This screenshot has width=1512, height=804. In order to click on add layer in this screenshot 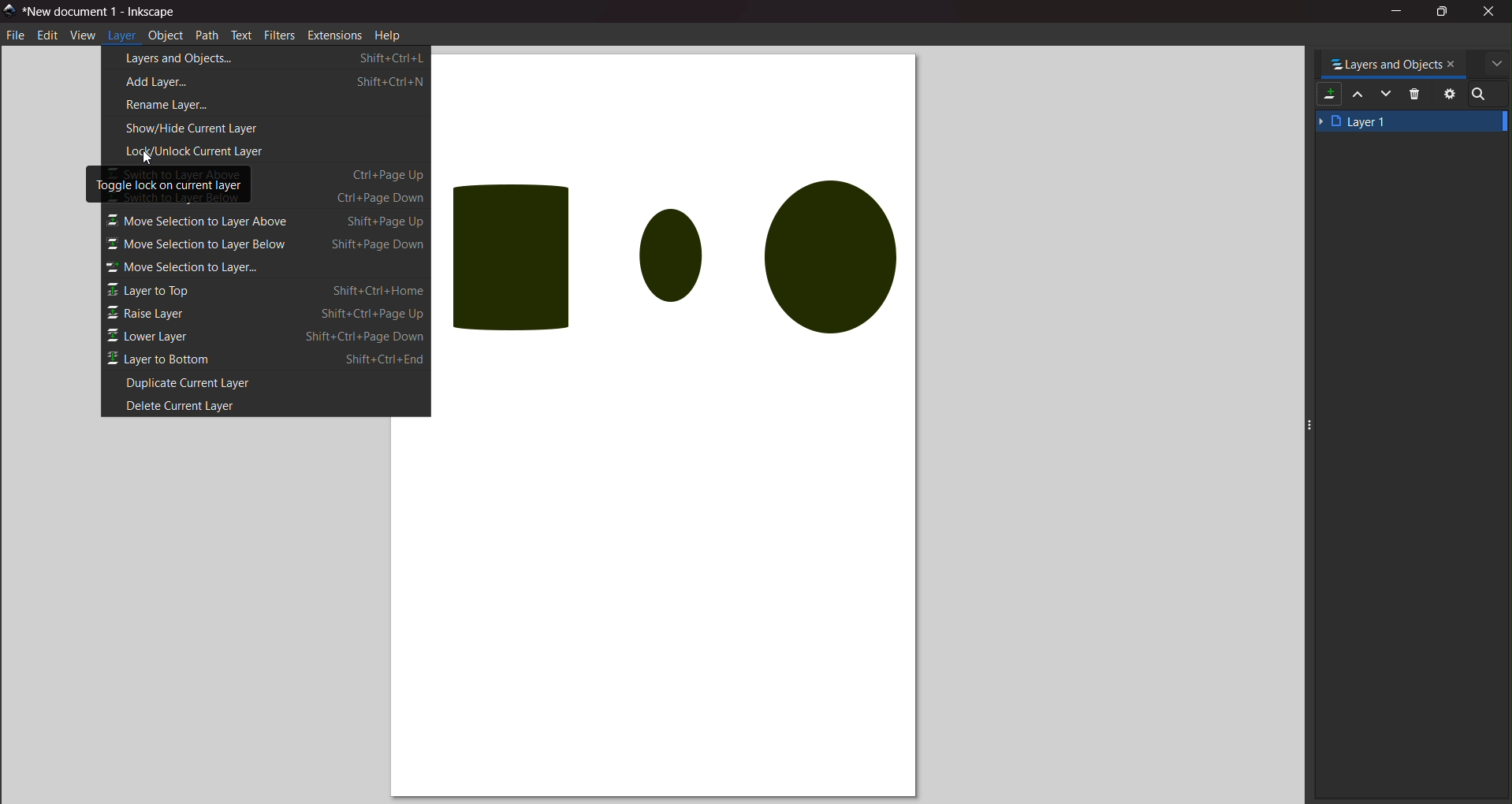, I will do `click(1328, 95)`.